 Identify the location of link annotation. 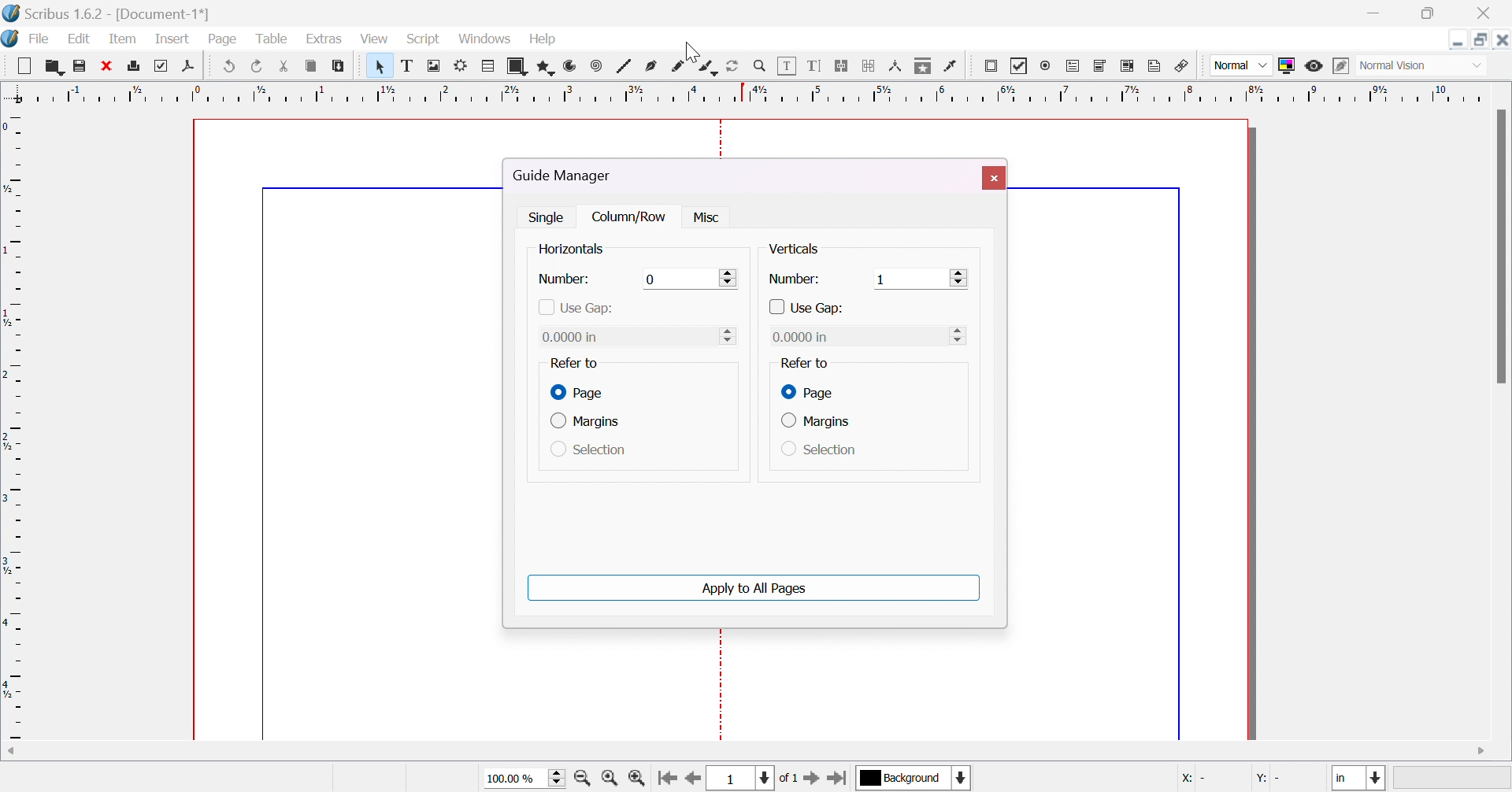
(1184, 67).